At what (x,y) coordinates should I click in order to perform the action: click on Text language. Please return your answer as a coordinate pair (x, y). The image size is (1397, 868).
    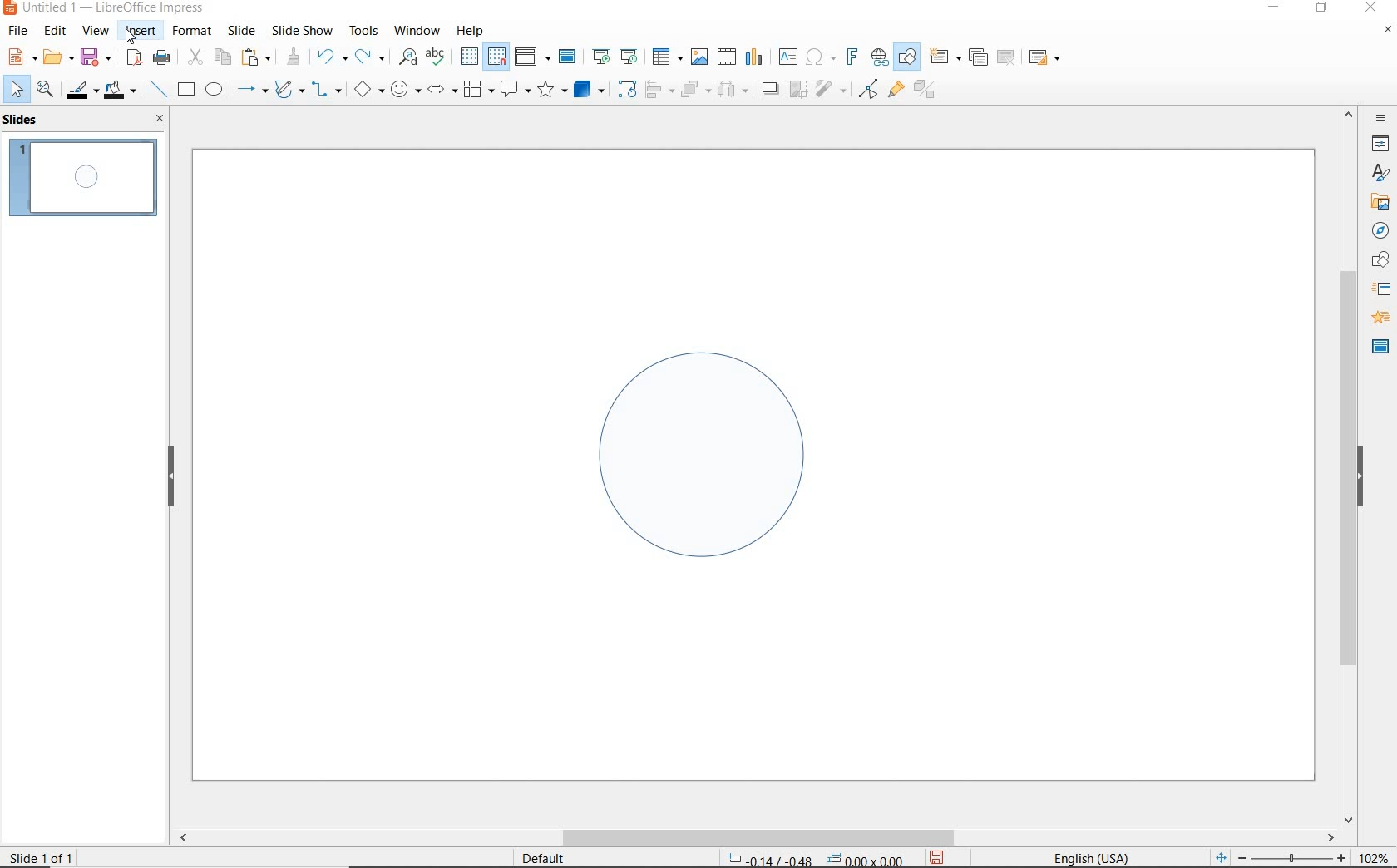
    Looking at the image, I should click on (1088, 856).